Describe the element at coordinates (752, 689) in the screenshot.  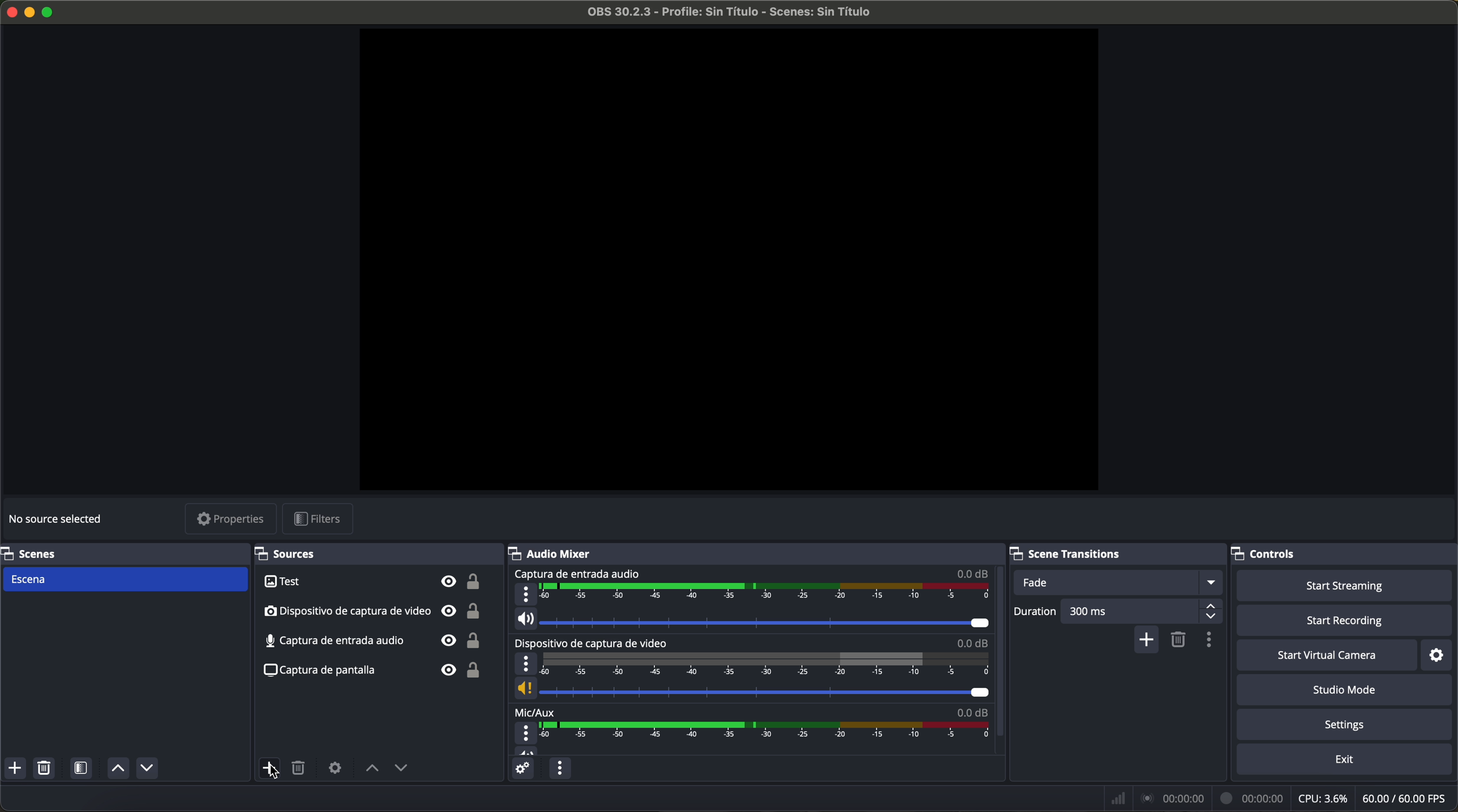
I see `vol` at that location.